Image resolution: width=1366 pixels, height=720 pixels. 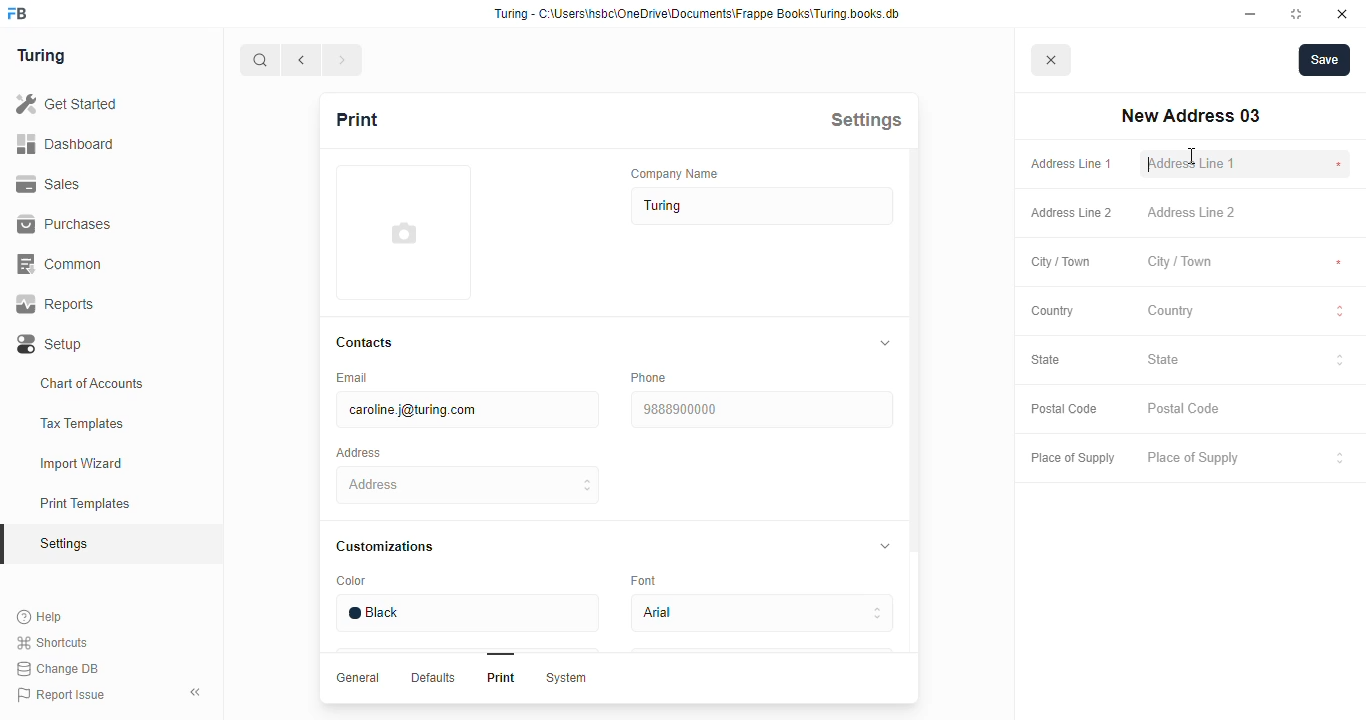 What do you see at coordinates (1052, 61) in the screenshot?
I see `cancel` at bounding box center [1052, 61].